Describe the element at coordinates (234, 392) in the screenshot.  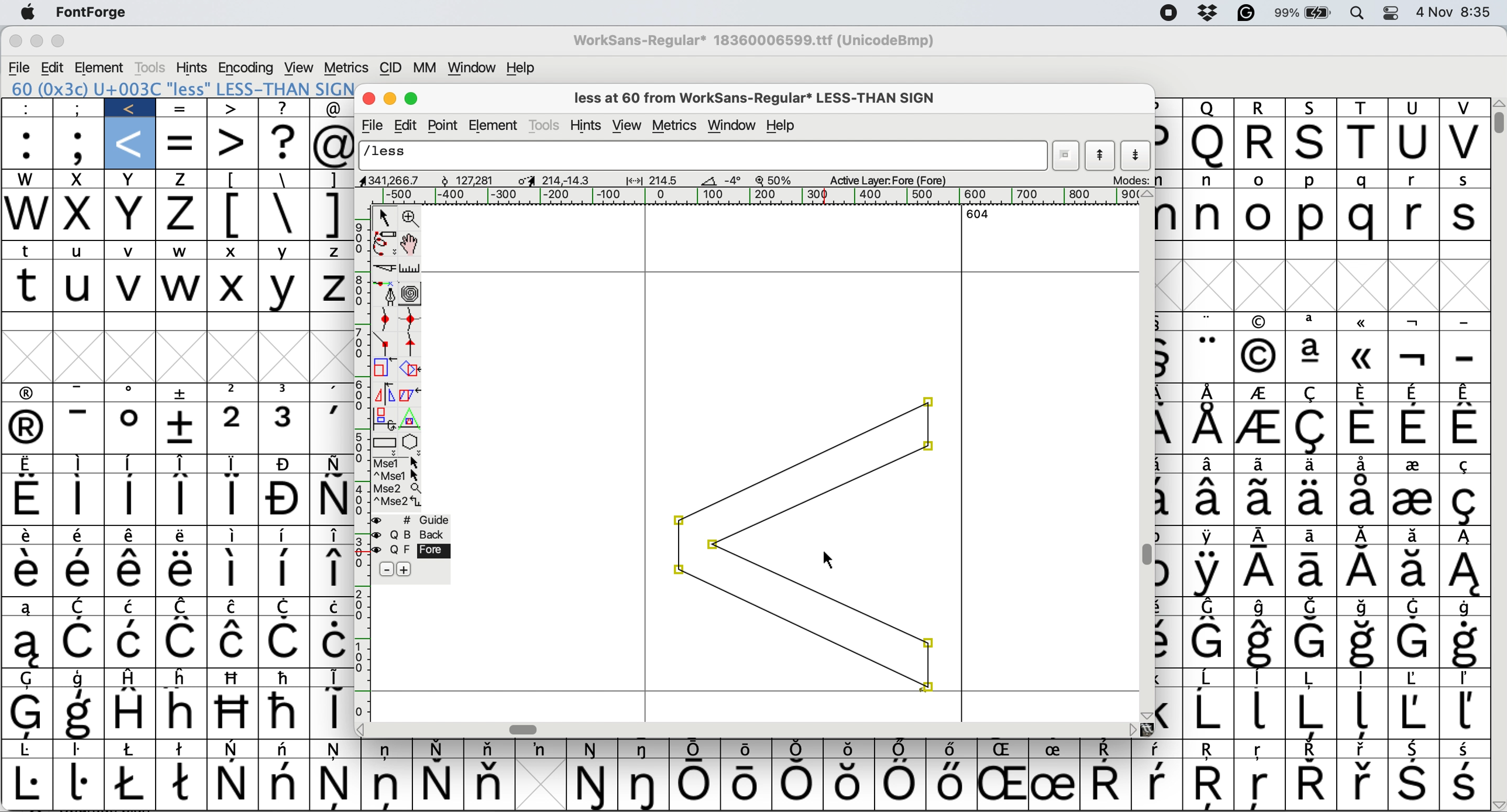
I see `2` at that location.